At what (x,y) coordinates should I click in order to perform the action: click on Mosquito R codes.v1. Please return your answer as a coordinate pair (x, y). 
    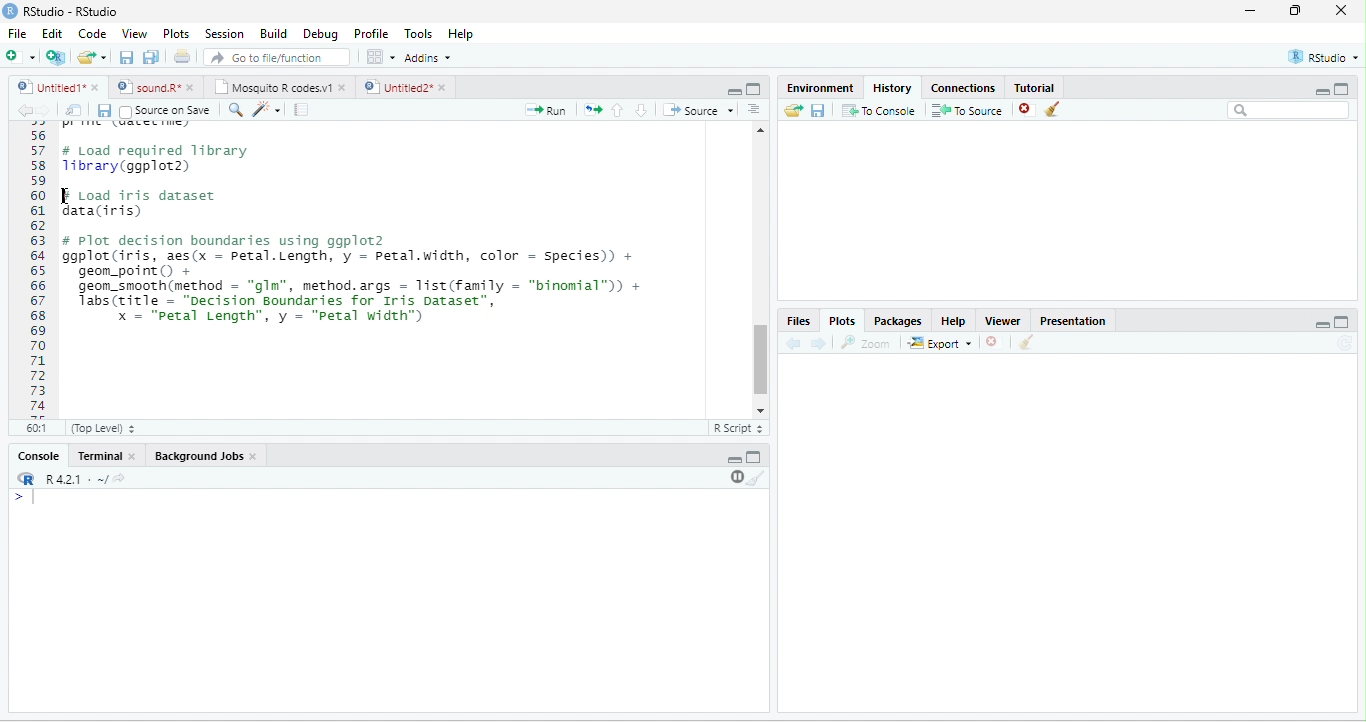
    Looking at the image, I should click on (271, 87).